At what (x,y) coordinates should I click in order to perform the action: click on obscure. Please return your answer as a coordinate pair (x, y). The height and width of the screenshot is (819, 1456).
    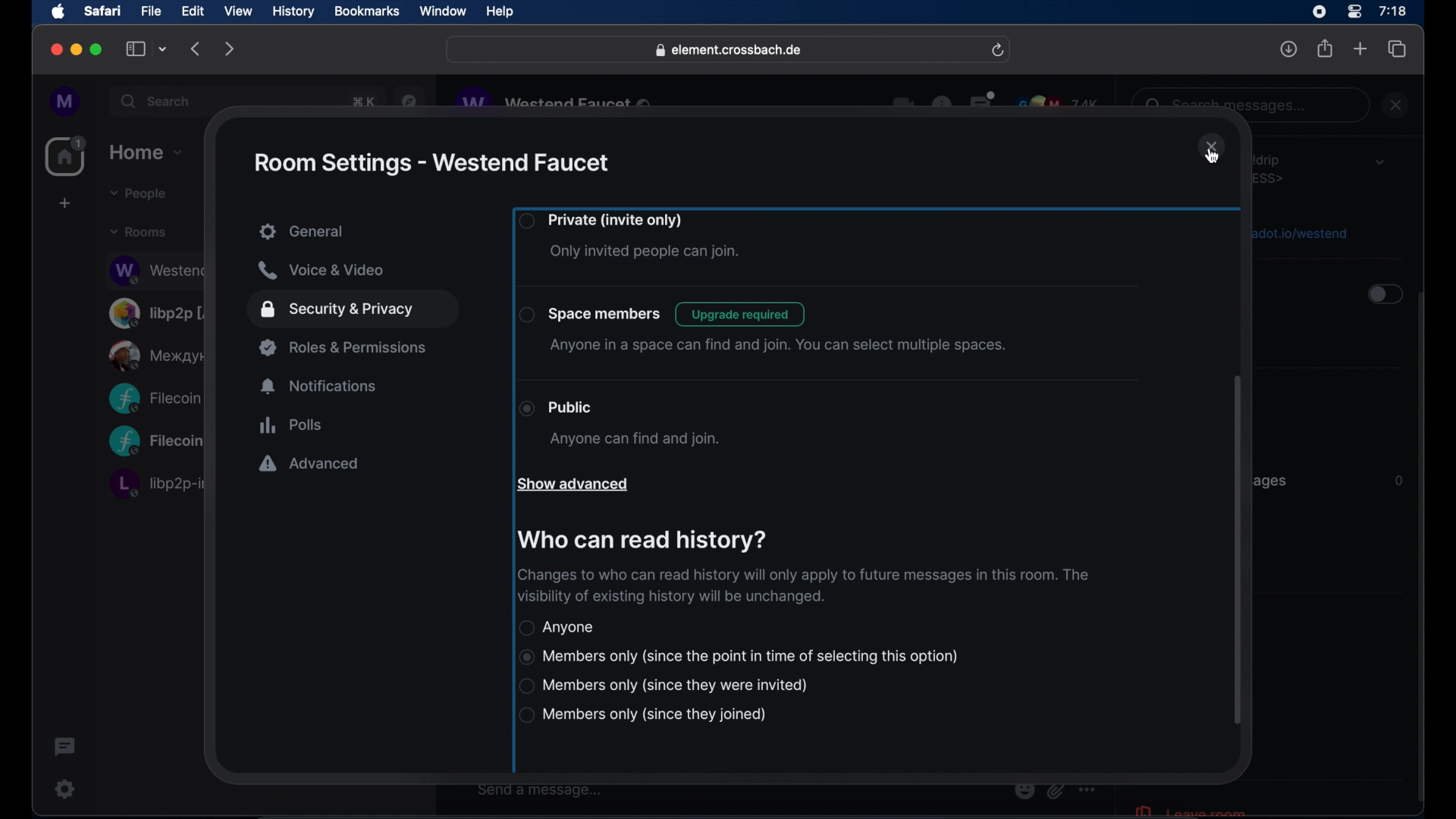
    Looking at the image, I should click on (1298, 232).